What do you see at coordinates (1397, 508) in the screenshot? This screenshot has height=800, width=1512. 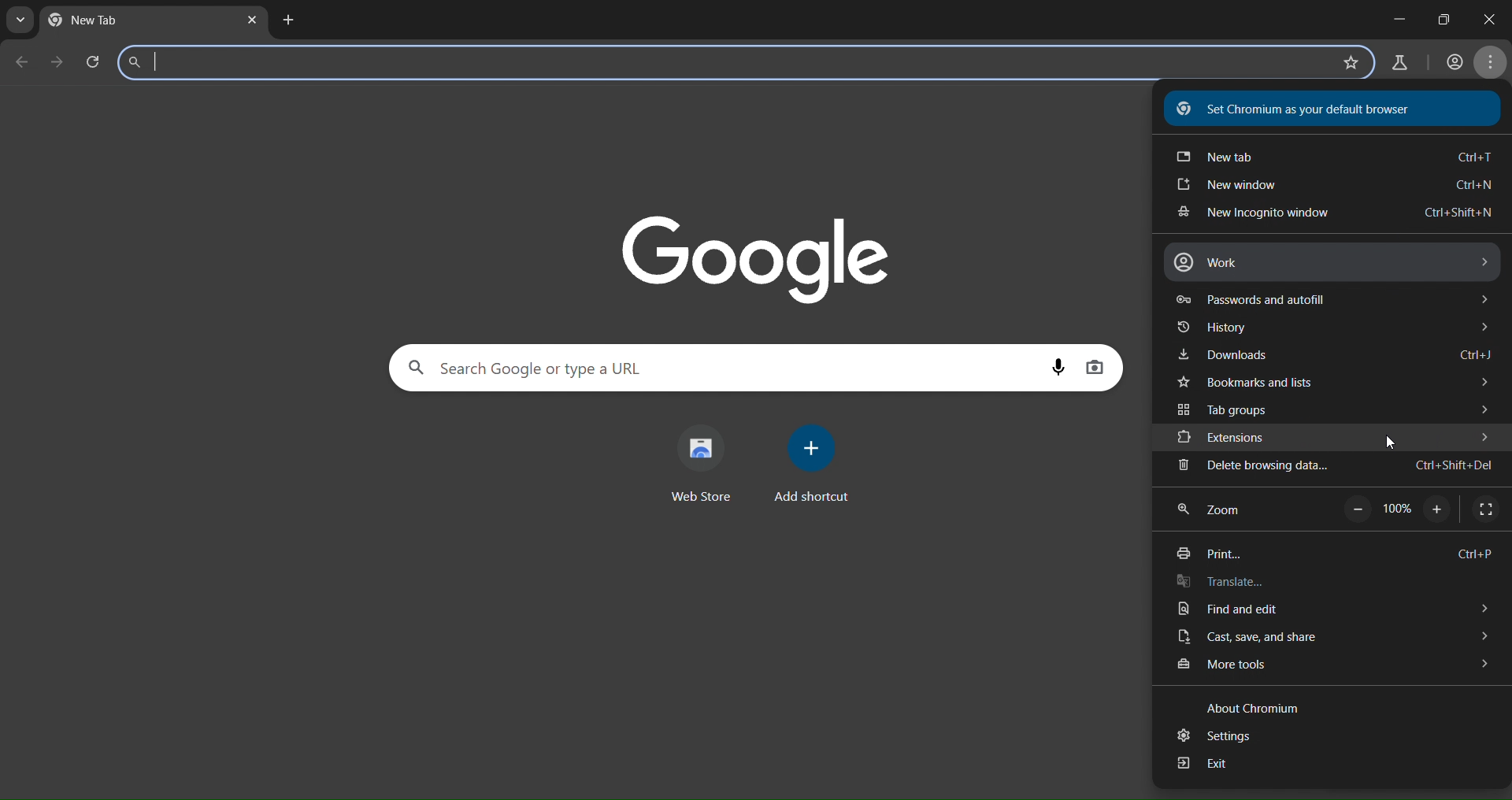 I see `100%` at bounding box center [1397, 508].